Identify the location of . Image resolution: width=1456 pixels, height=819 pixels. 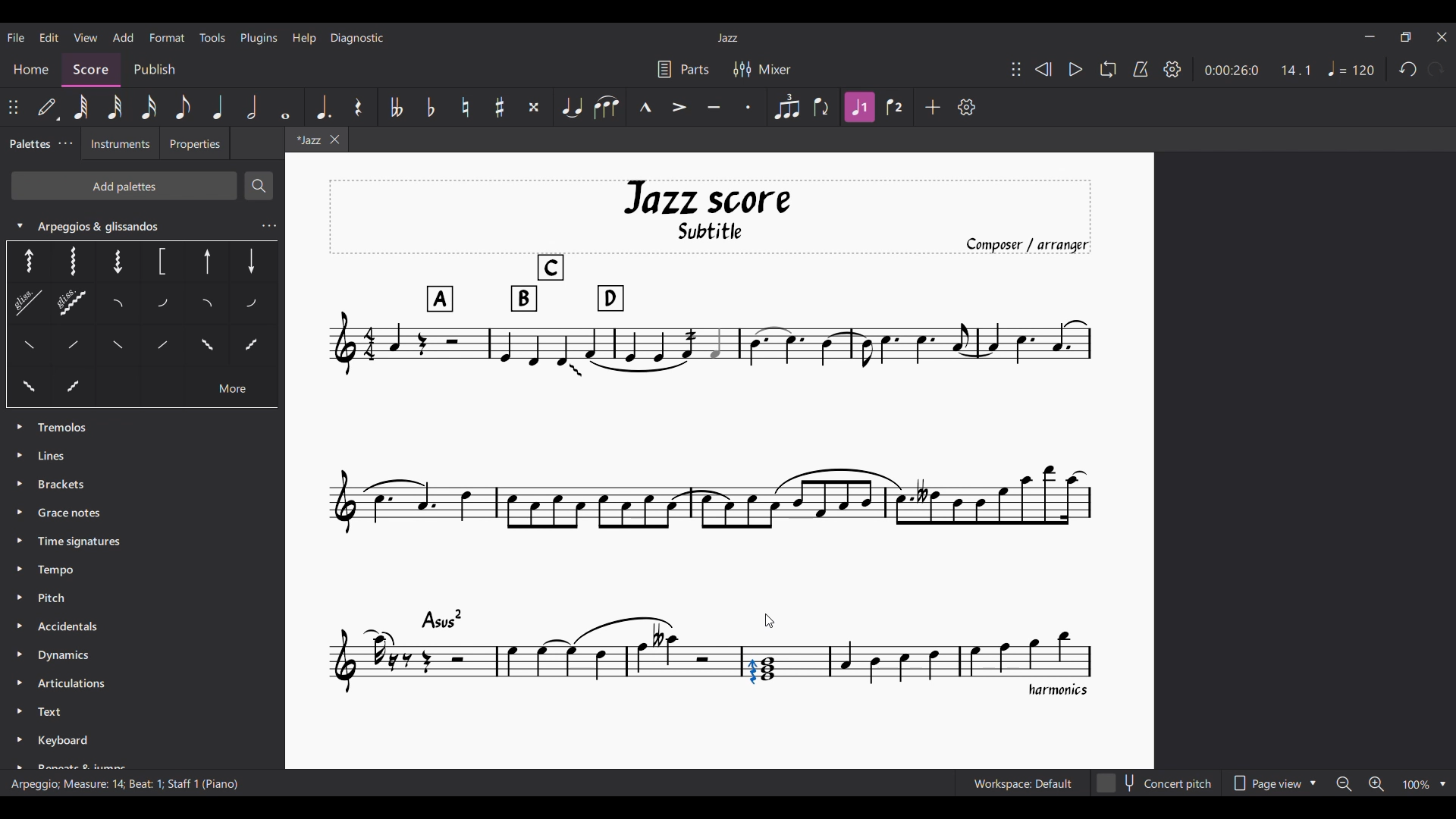
(205, 306).